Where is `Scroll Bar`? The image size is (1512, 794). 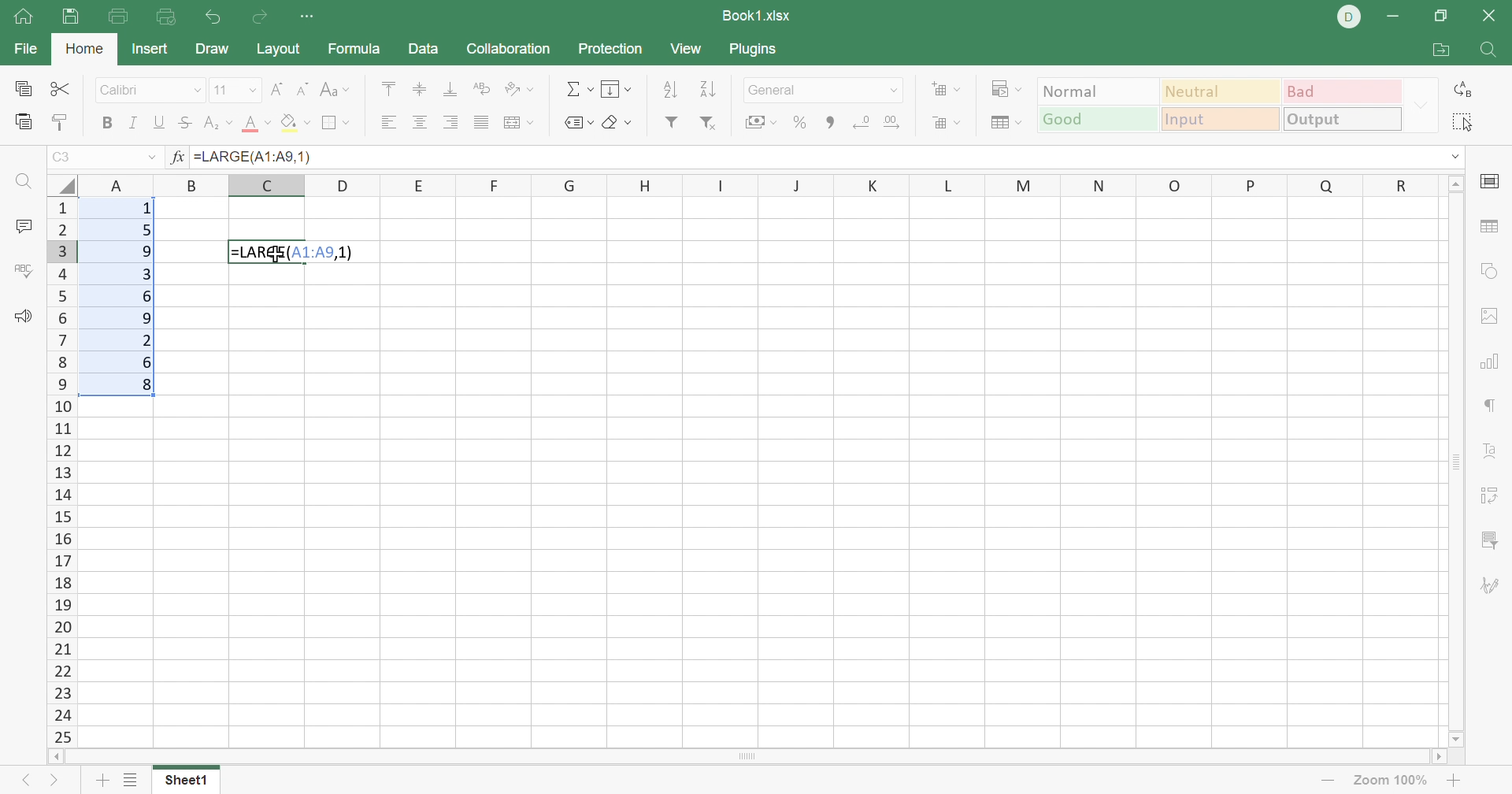
Scroll Bar is located at coordinates (753, 758).